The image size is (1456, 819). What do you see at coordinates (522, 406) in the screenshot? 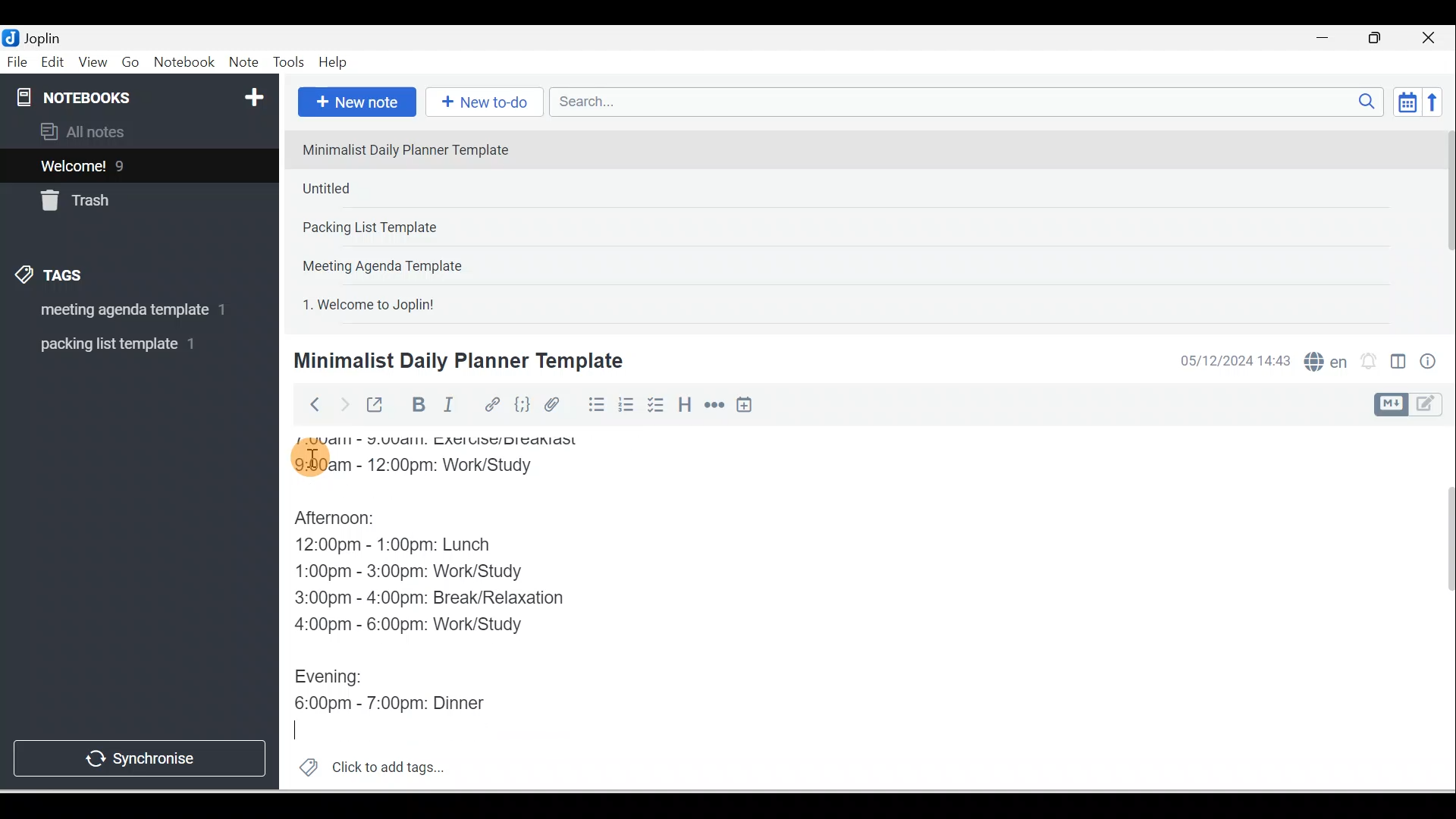
I see `Code` at bounding box center [522, 406].